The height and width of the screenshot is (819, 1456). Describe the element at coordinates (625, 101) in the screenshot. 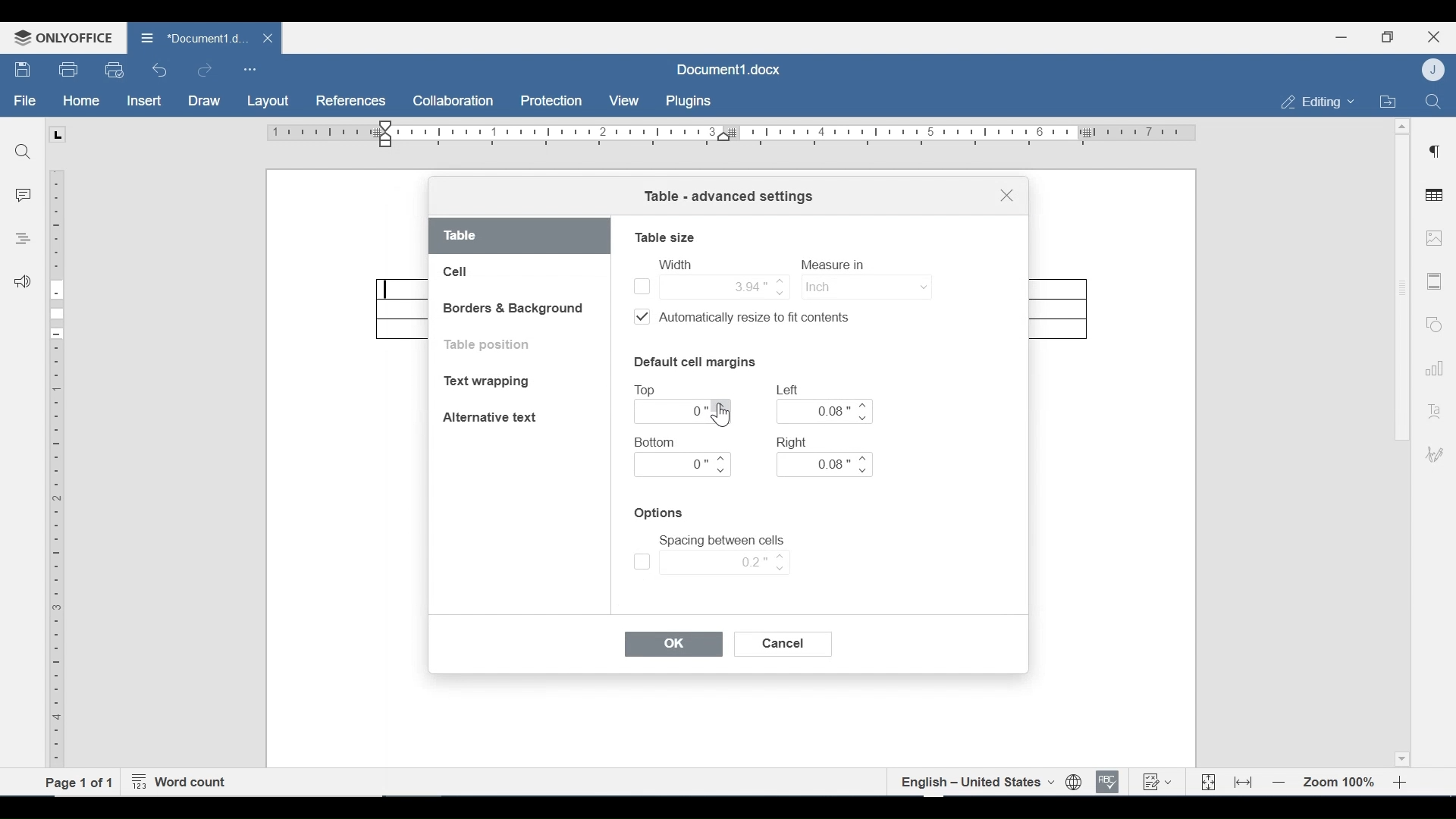

I see `View` at that location.